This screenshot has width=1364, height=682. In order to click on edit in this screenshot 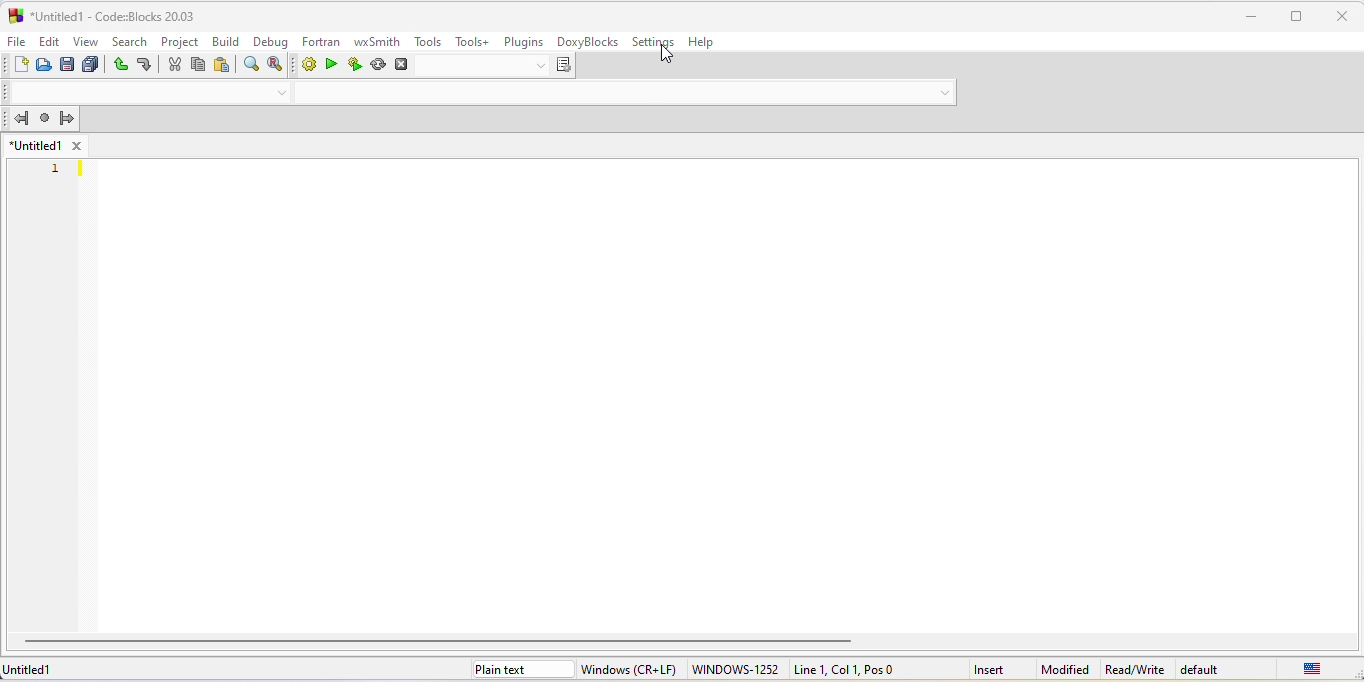, I will do `click(47, 41)`.